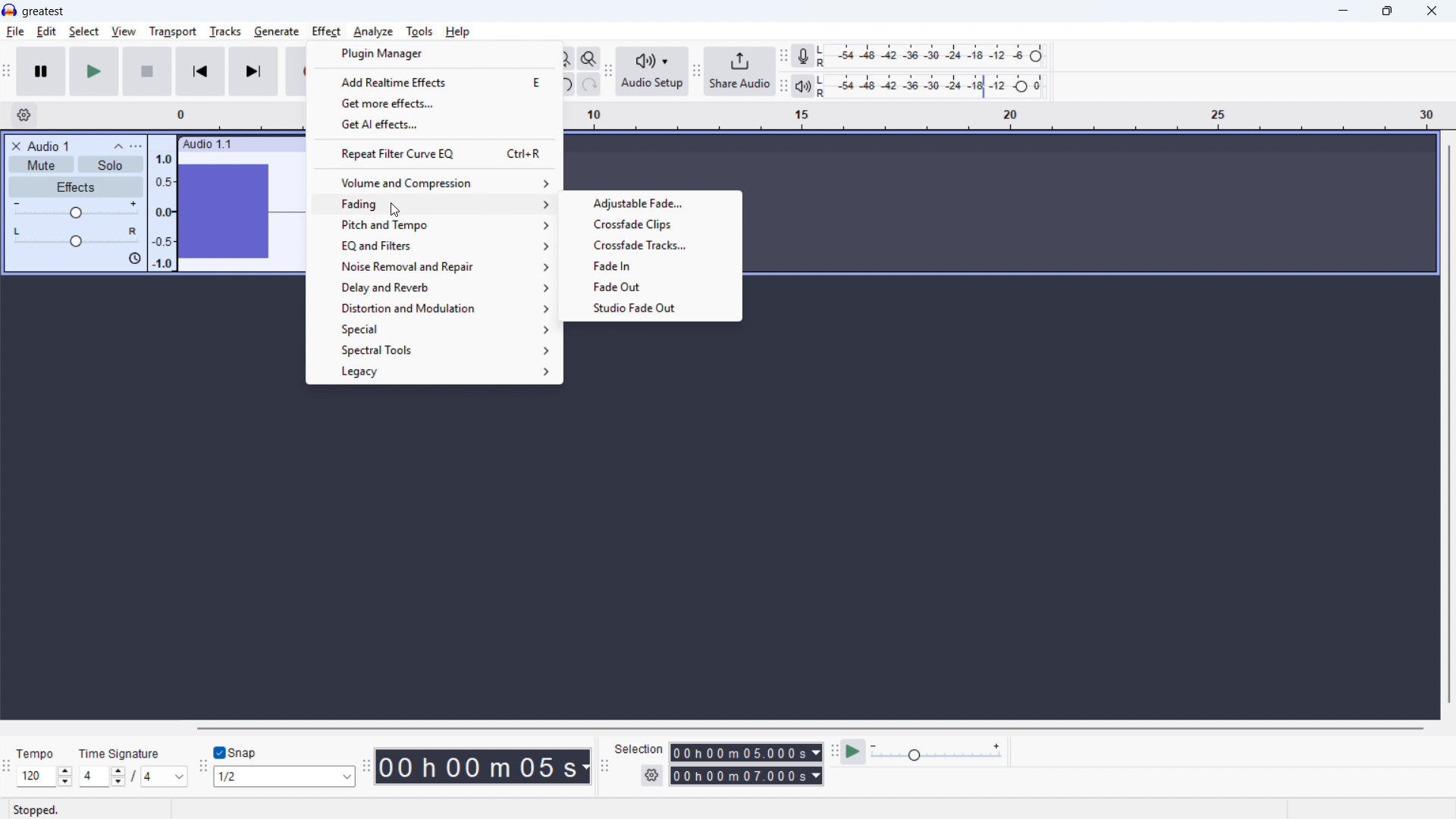 The width and height of the screenshot is (1456, 819). What do you see at coordinates (651, 285) in the screenshot?
I see `Fade out ` at bounding box center [651, 285].